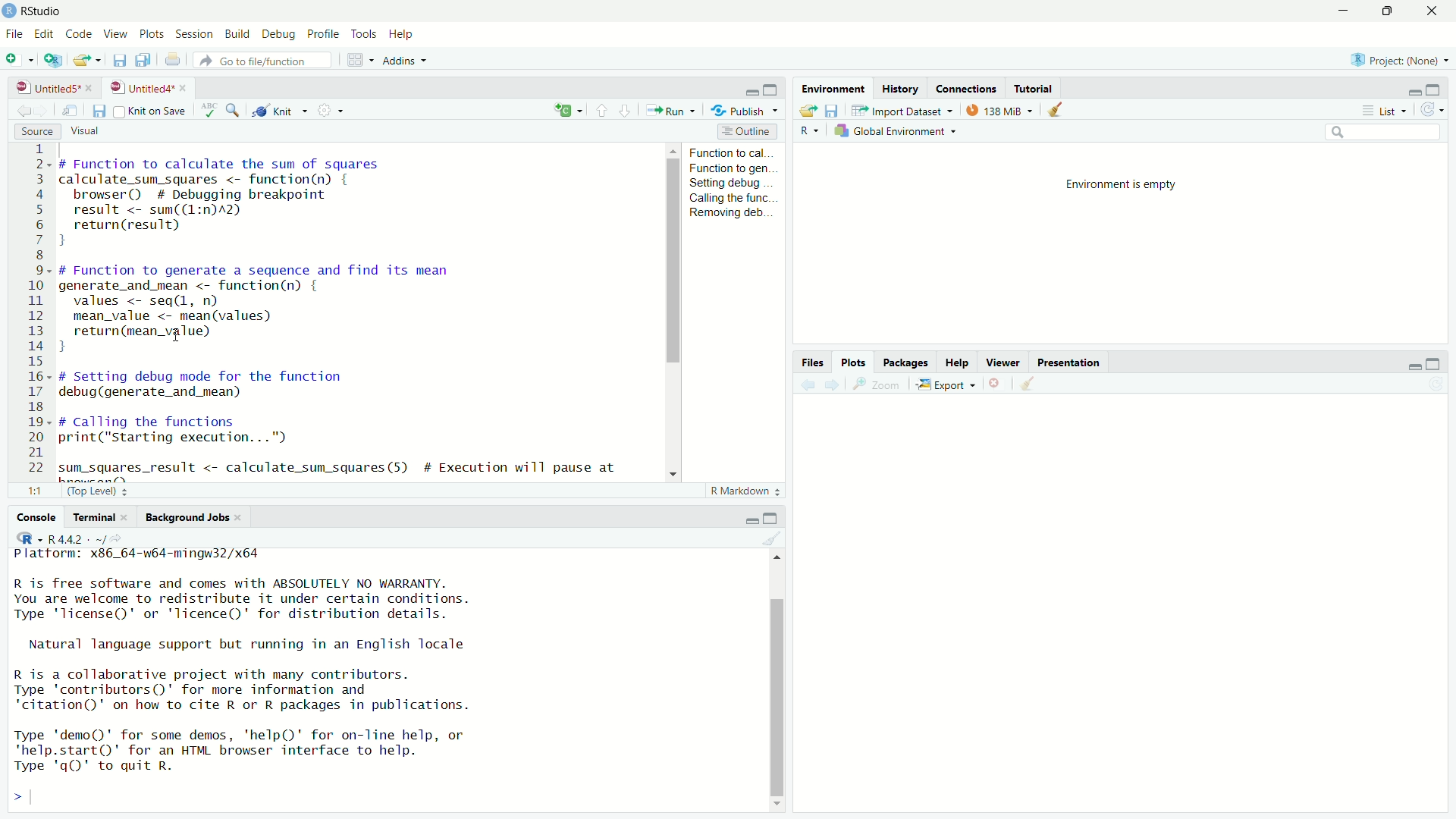 Image resolution: width=1456 pixels, height=819 pixels. Describe the element at coordinates (778, 805) in the screenshot. I see `move down` at that location.